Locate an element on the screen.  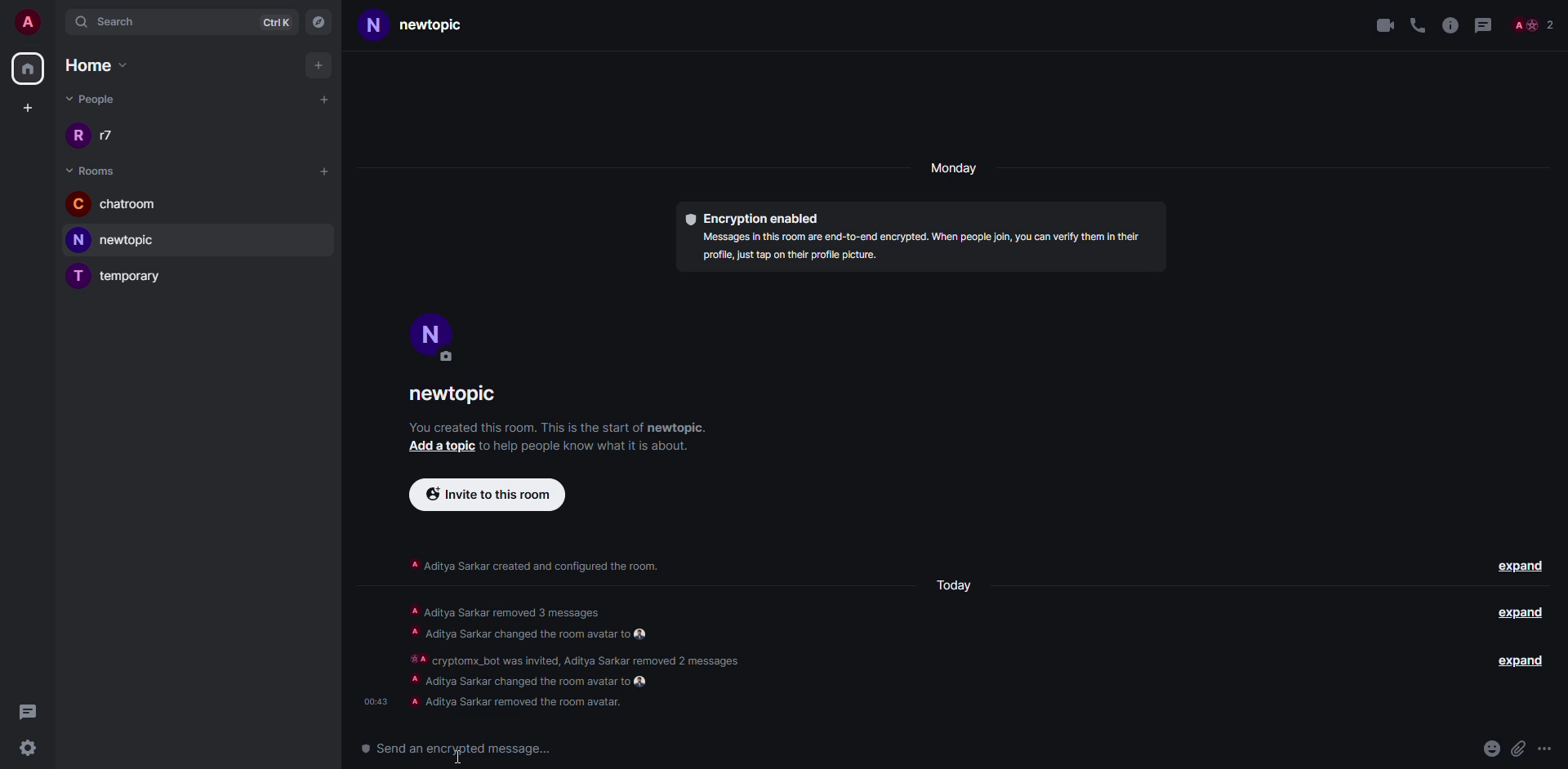
account is located at coordinates (29, 20).